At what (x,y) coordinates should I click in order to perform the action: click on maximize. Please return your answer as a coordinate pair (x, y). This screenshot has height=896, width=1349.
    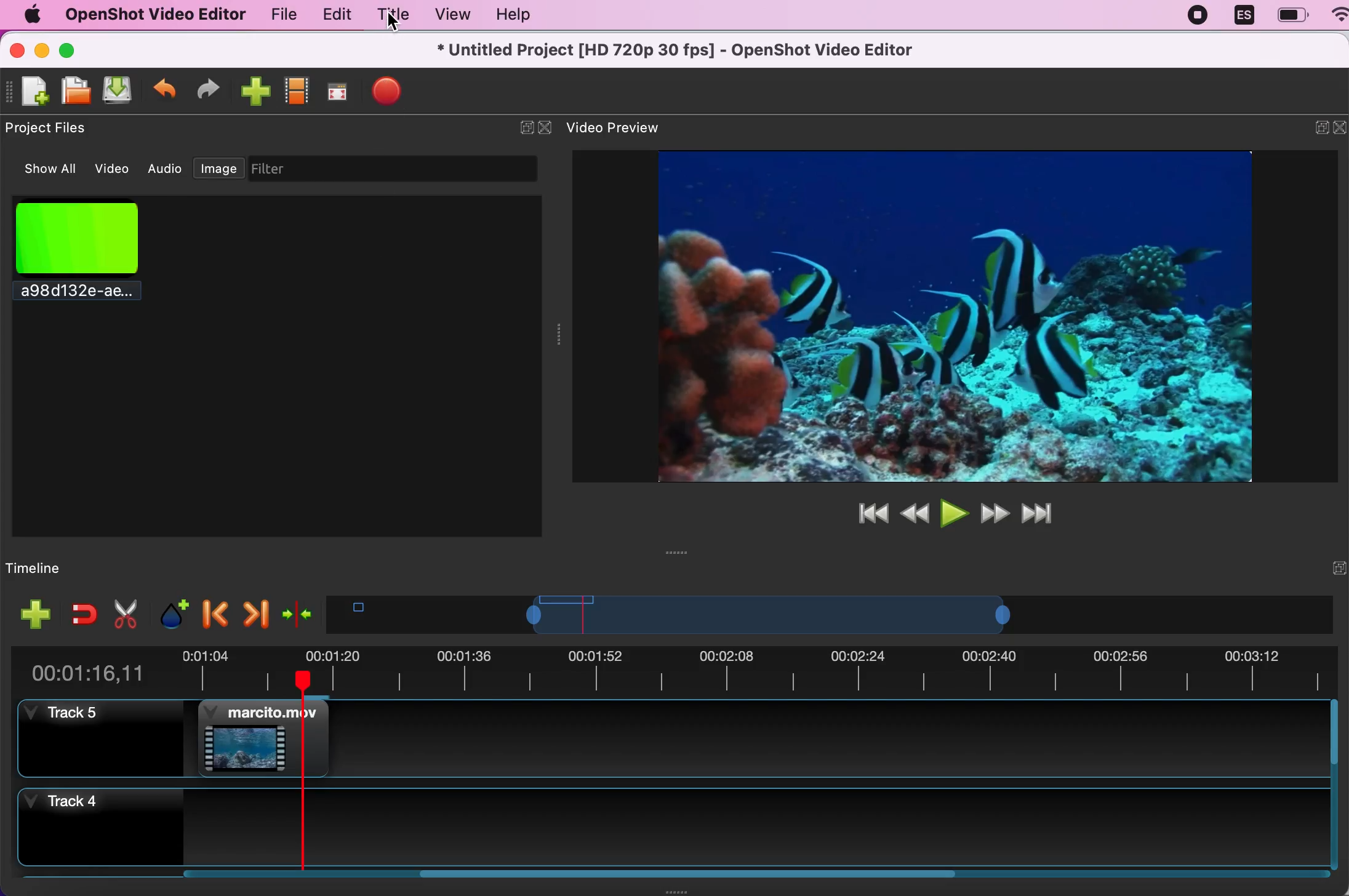
    Looking at the image, I should click on (82, 49).